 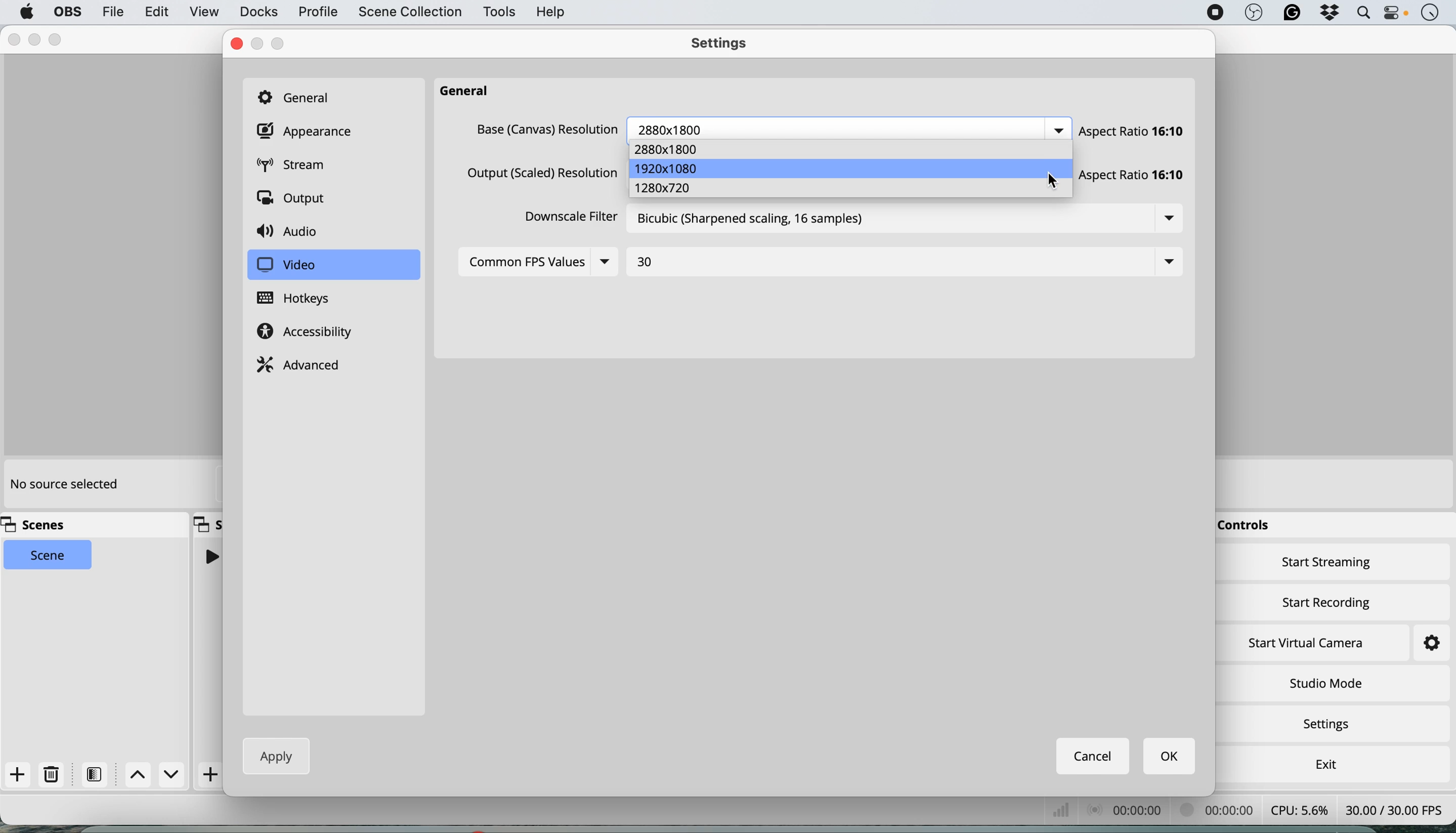 I want to click on bicubic (sharpened scalling), so click(x=760, y=223).